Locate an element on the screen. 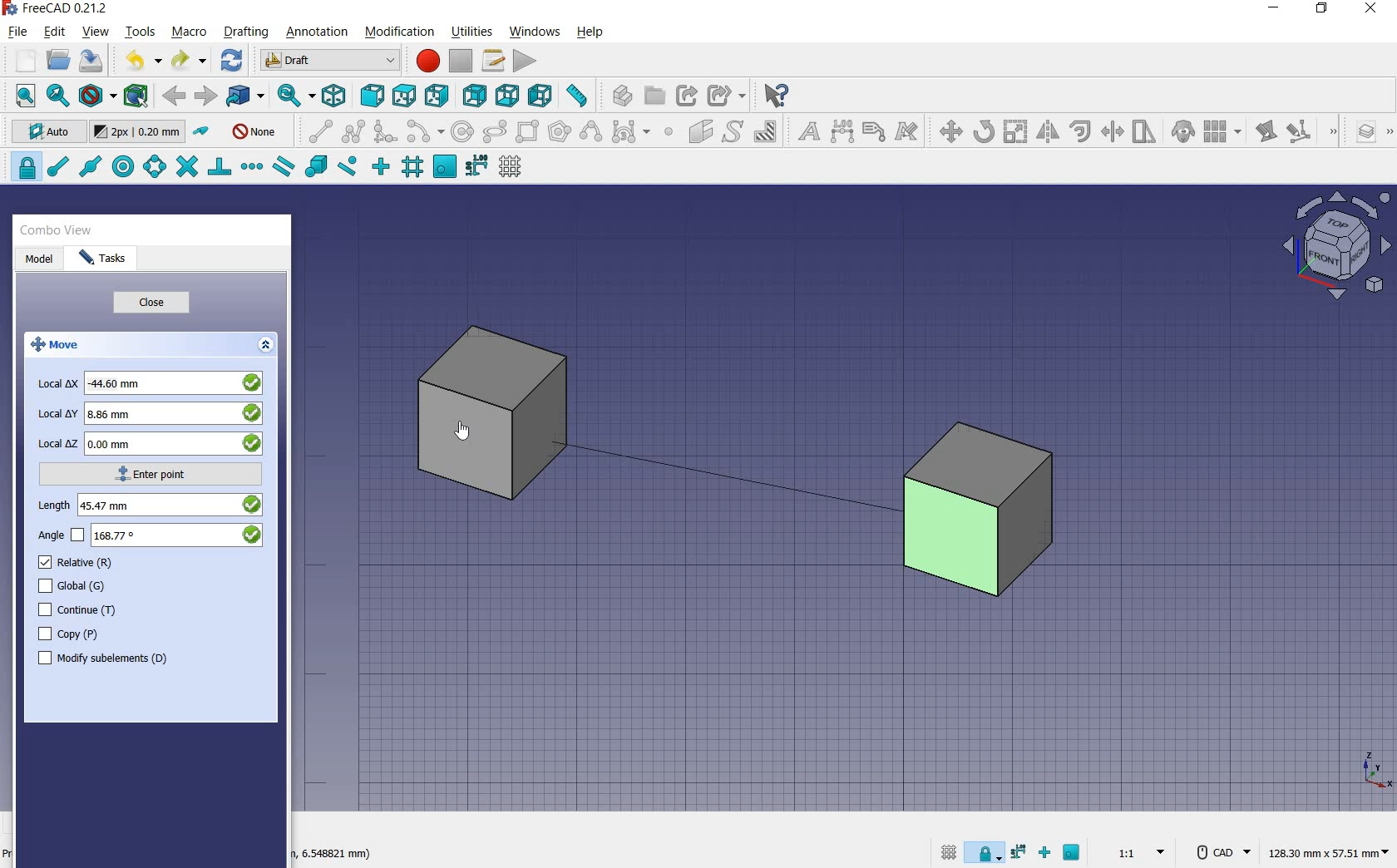 This screenshot has width=1397, height=868. snap working plane is located at coordinates (1073, 853).